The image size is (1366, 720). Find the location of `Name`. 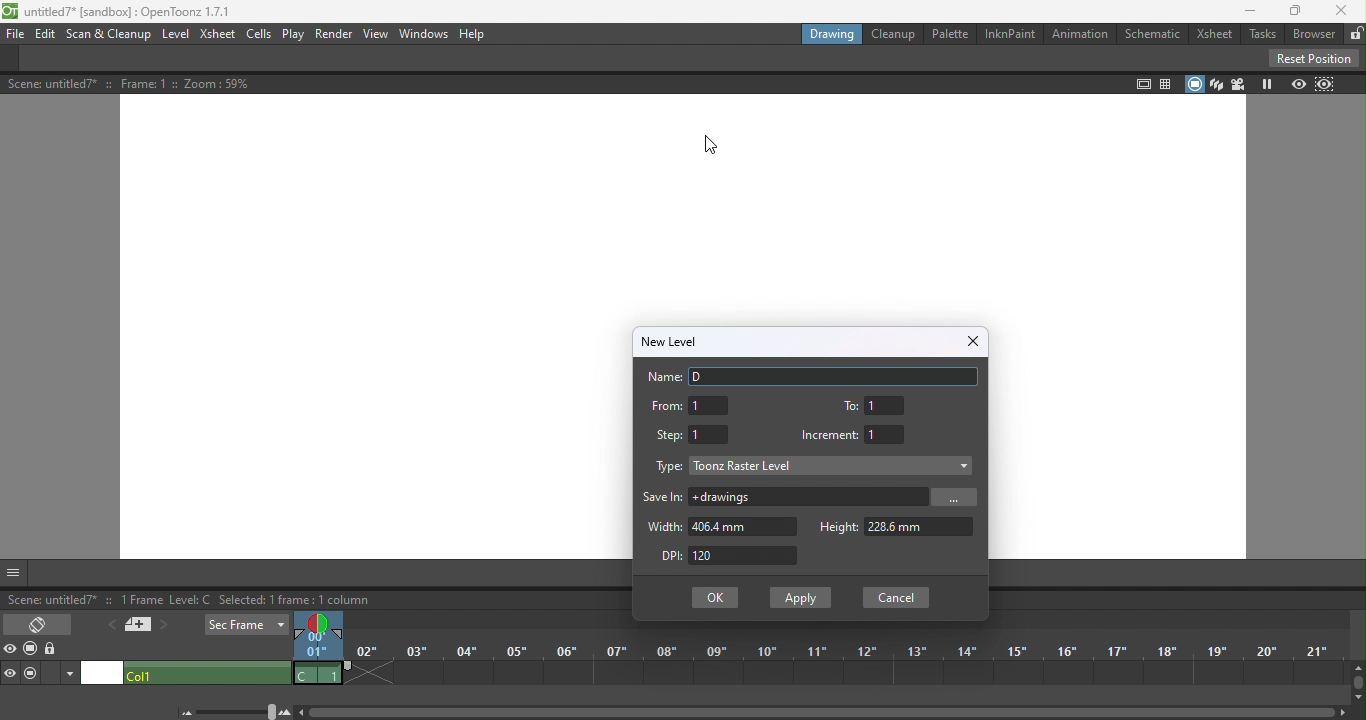

Name is located at coordinates (815, 376).